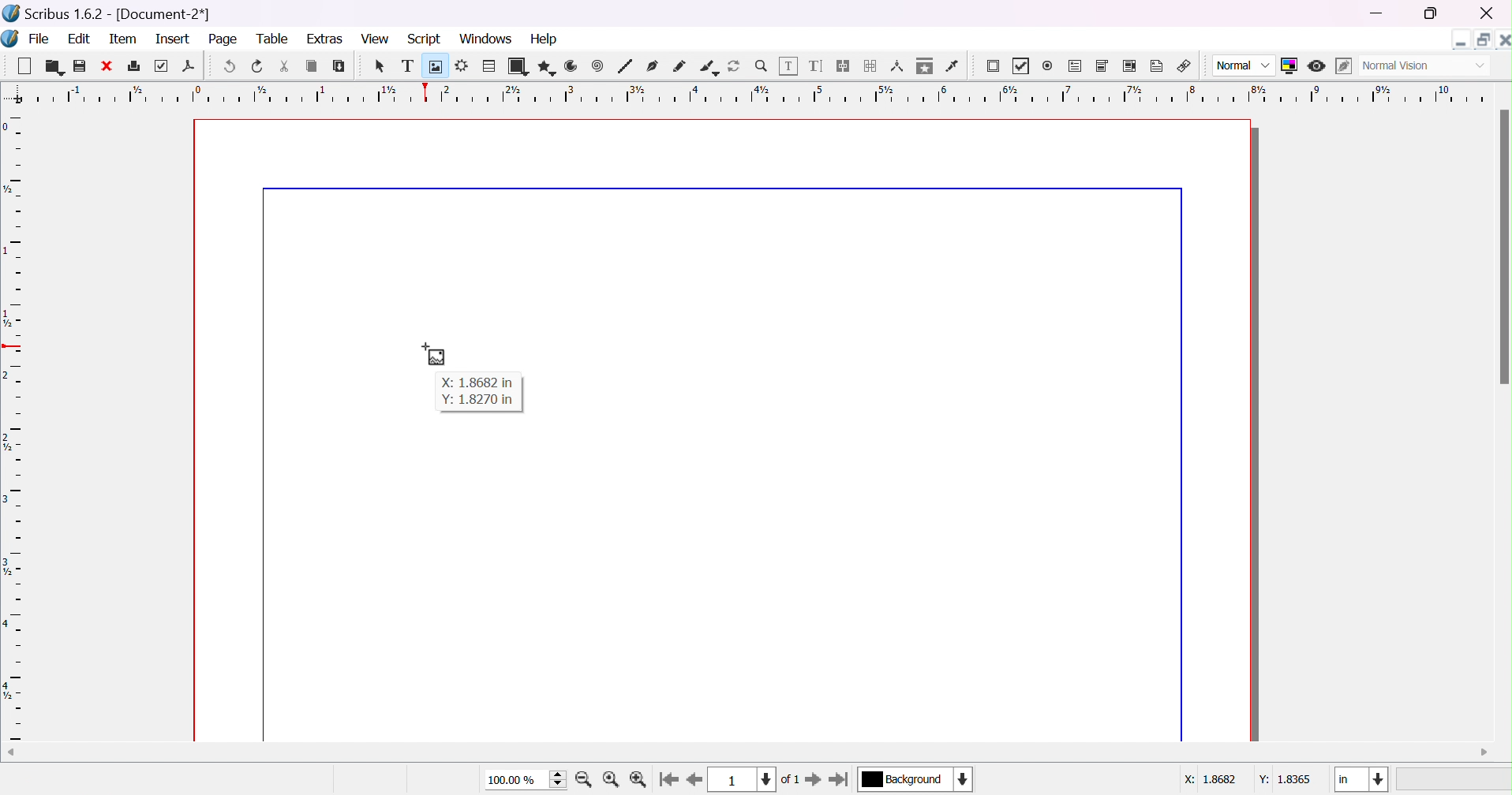 The height and width of the screenshot is (795, 1512). What do you see at coordinates (955, 66) in the screenshot?
I see `eye dropper` at bounding box center [955, 66].